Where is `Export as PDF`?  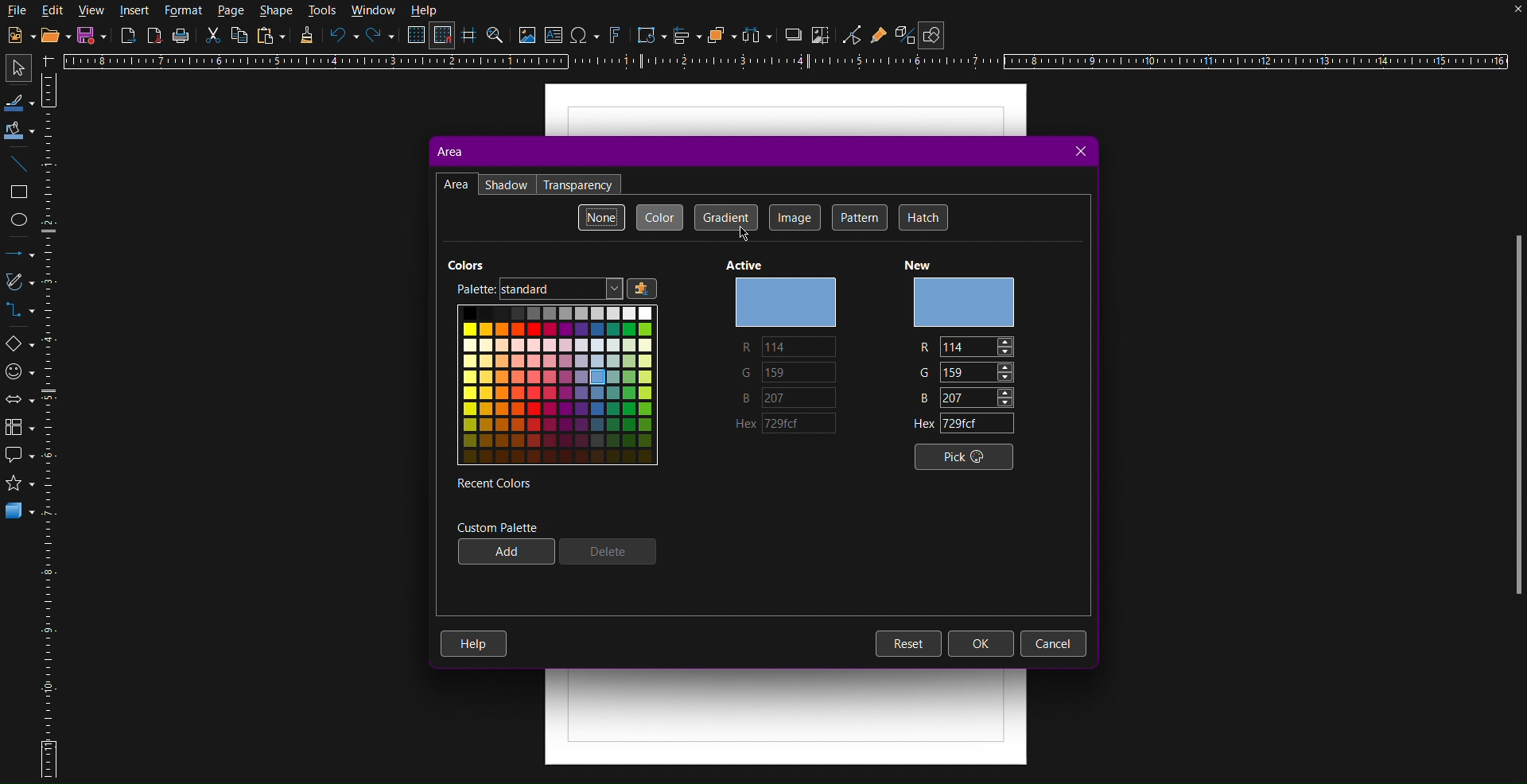
Export as PDF is located at coordinates (156, 38).